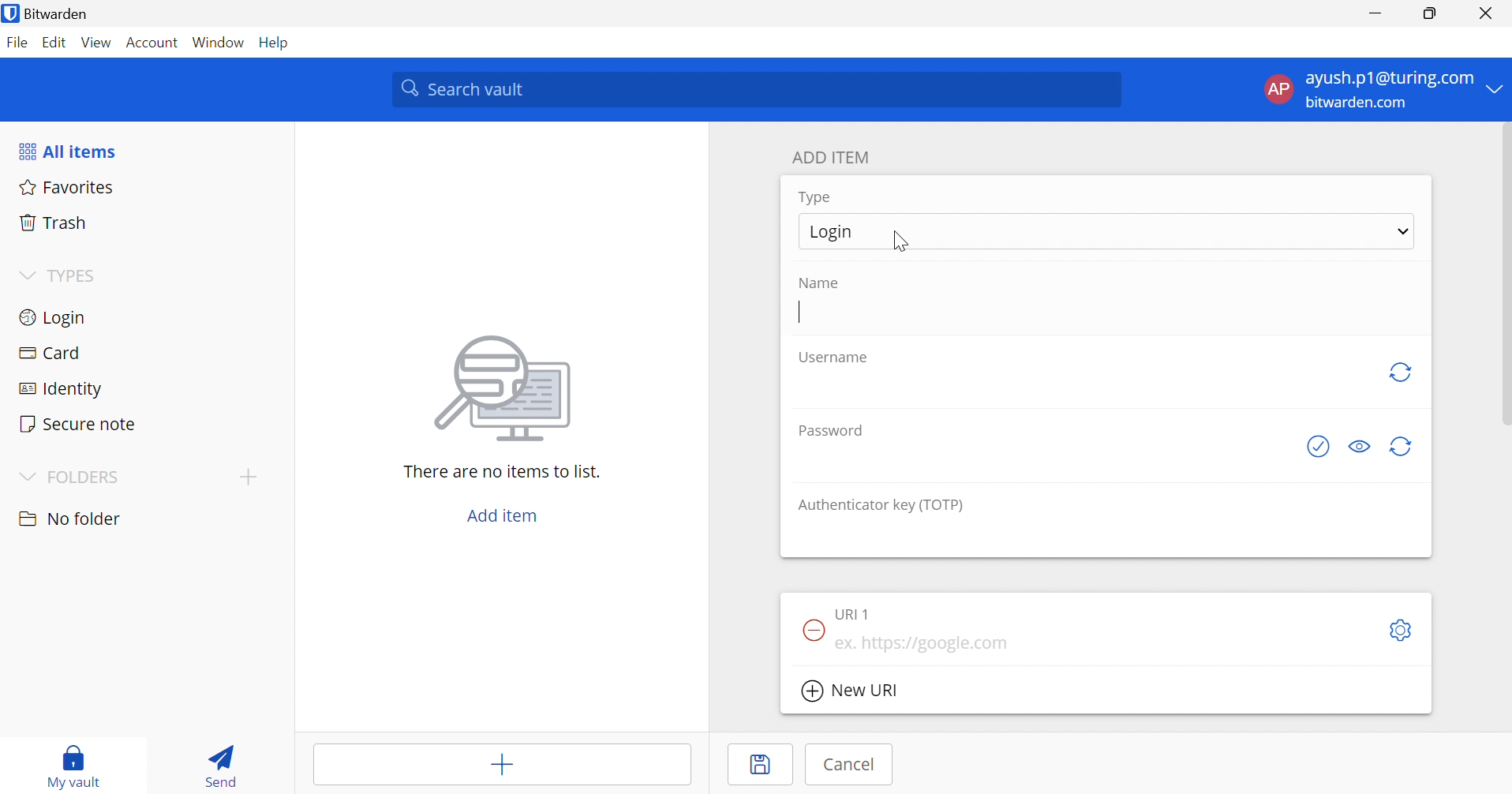  I want to click on Add item, so click(501, 516).